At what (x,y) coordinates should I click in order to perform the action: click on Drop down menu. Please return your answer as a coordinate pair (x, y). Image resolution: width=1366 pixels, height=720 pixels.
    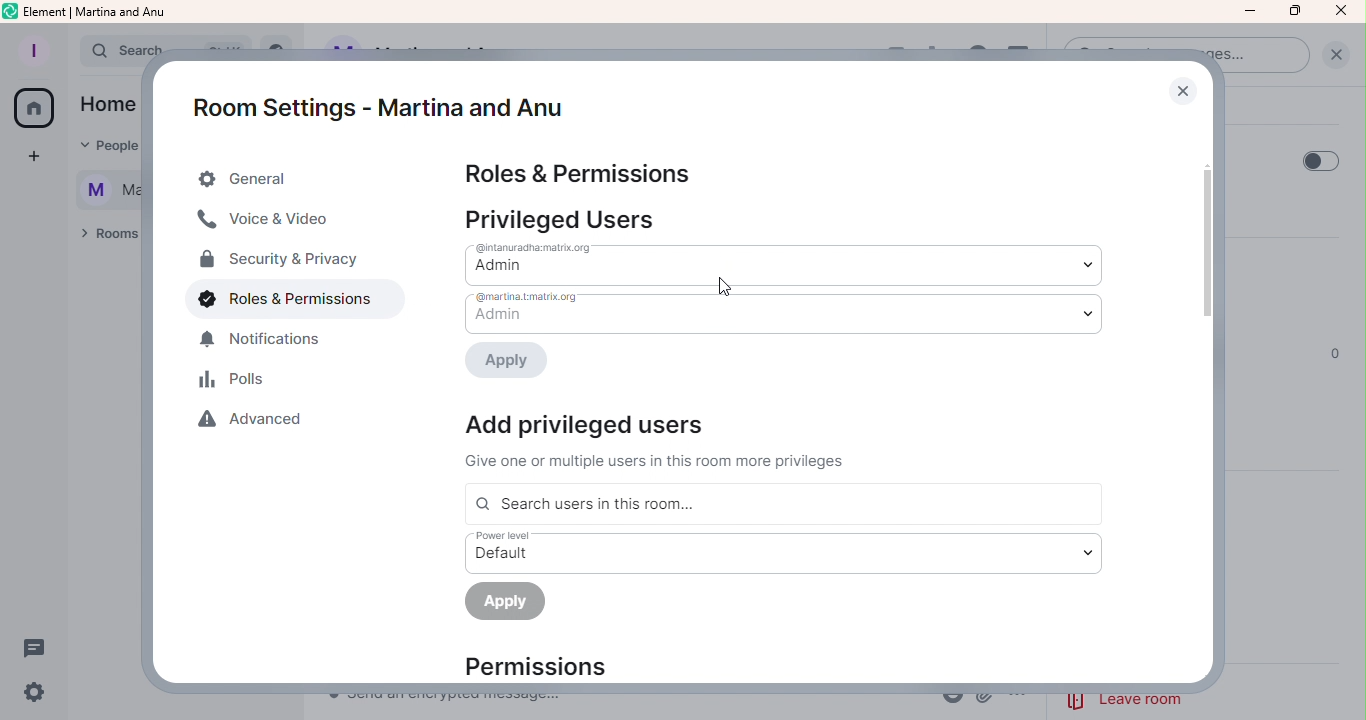
    Looking at the image, I should click on (777, 263).